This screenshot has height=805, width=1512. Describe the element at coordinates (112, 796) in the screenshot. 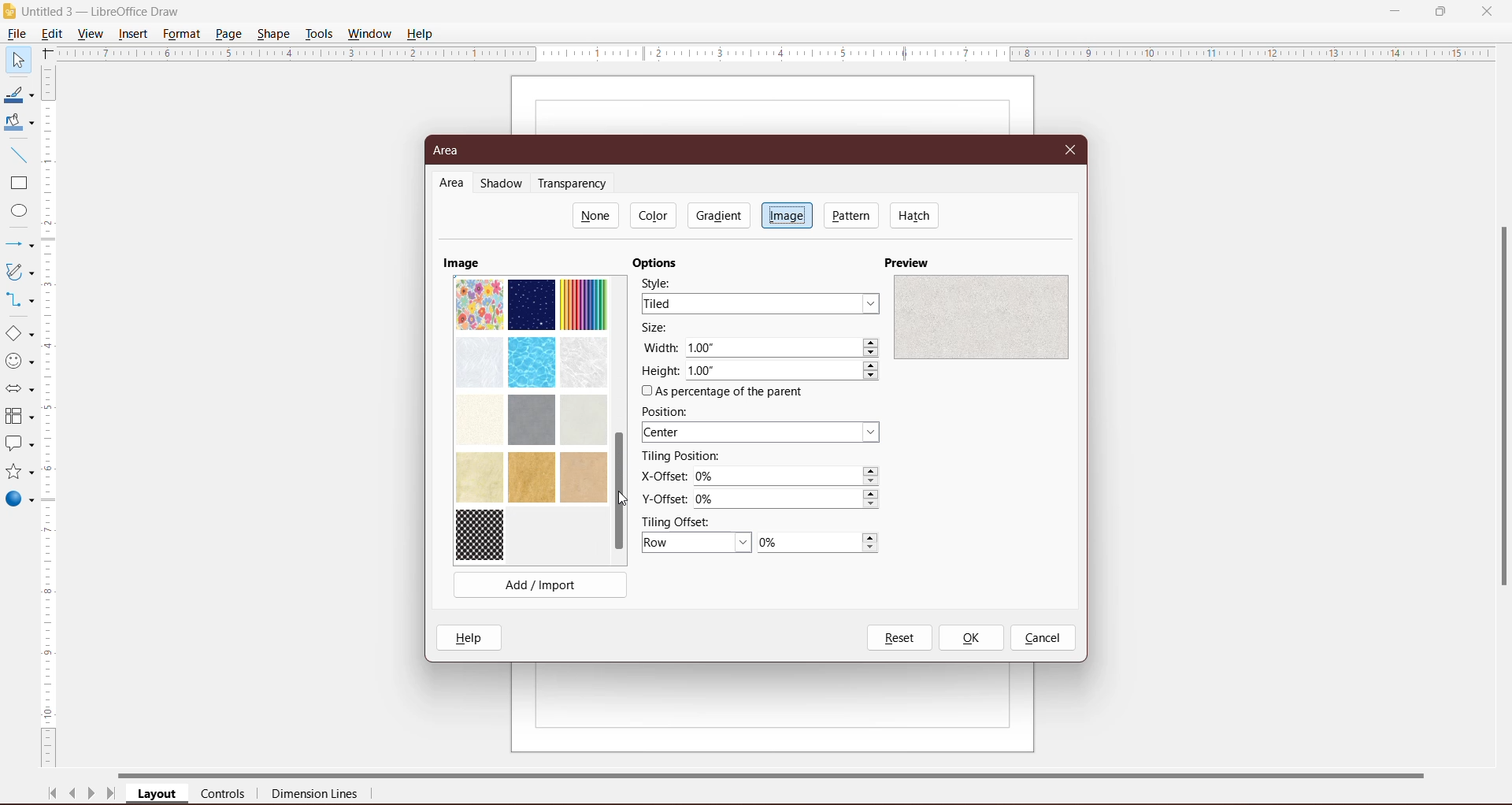

I see `Scroll to last page` at that location.